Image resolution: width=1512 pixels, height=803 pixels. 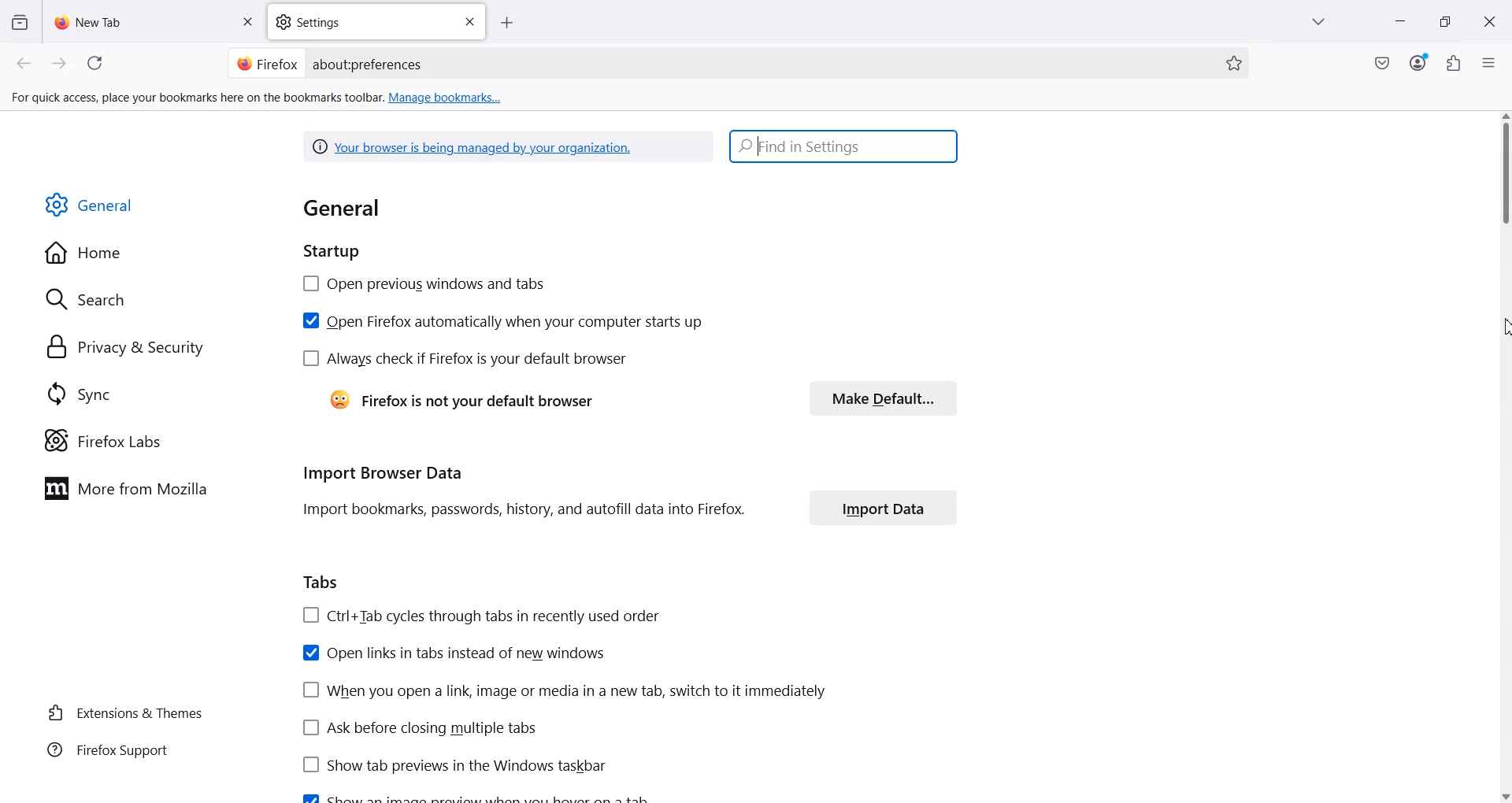 What do you see at coordinates (476, 146) in the screenshot?
I see `@ Your browser is being managed by your organization.` at bounding box center [476, 146].